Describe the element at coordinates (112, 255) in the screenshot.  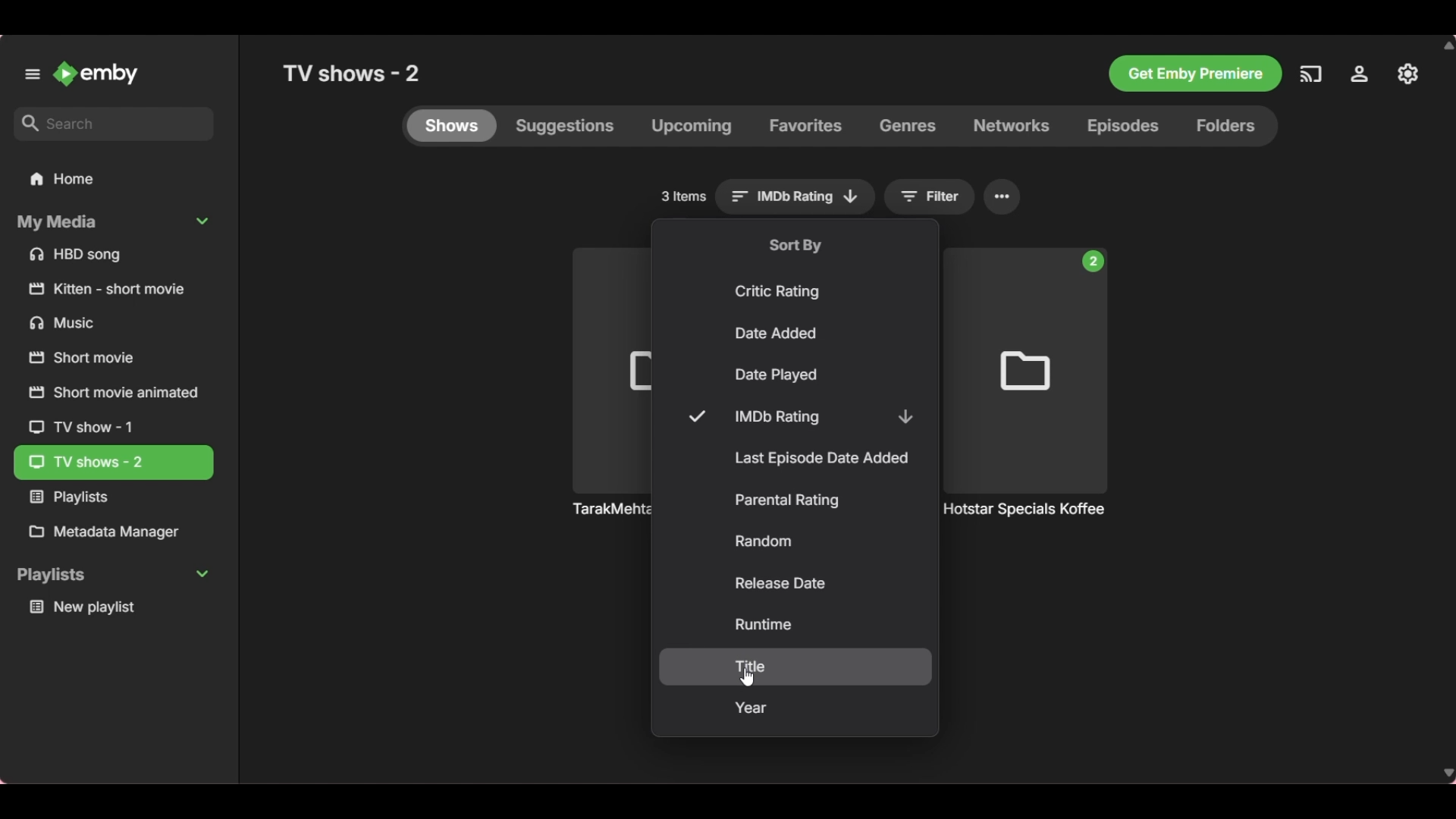
I see `Files under My Media` at that location.